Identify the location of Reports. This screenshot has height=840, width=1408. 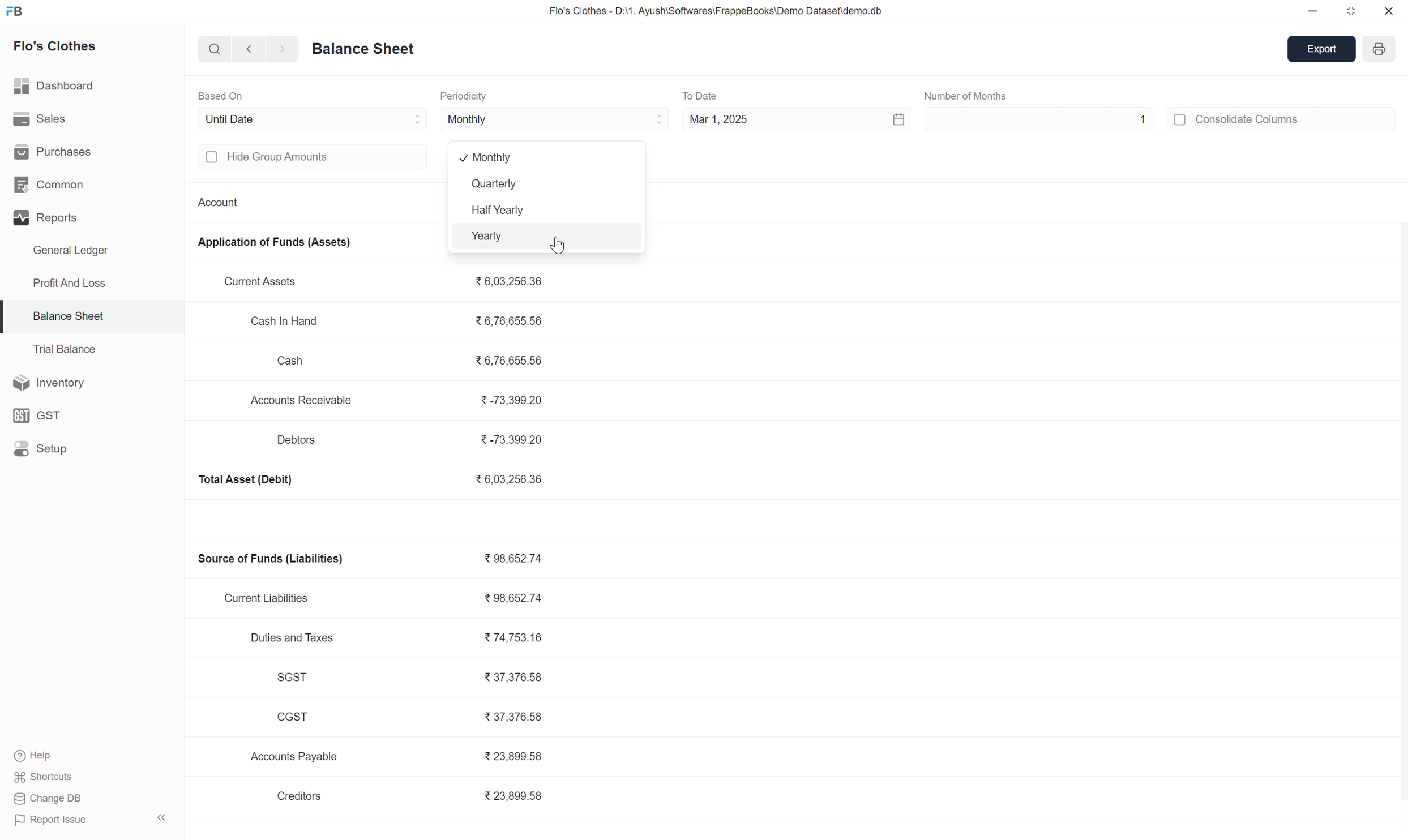
(82, 218).